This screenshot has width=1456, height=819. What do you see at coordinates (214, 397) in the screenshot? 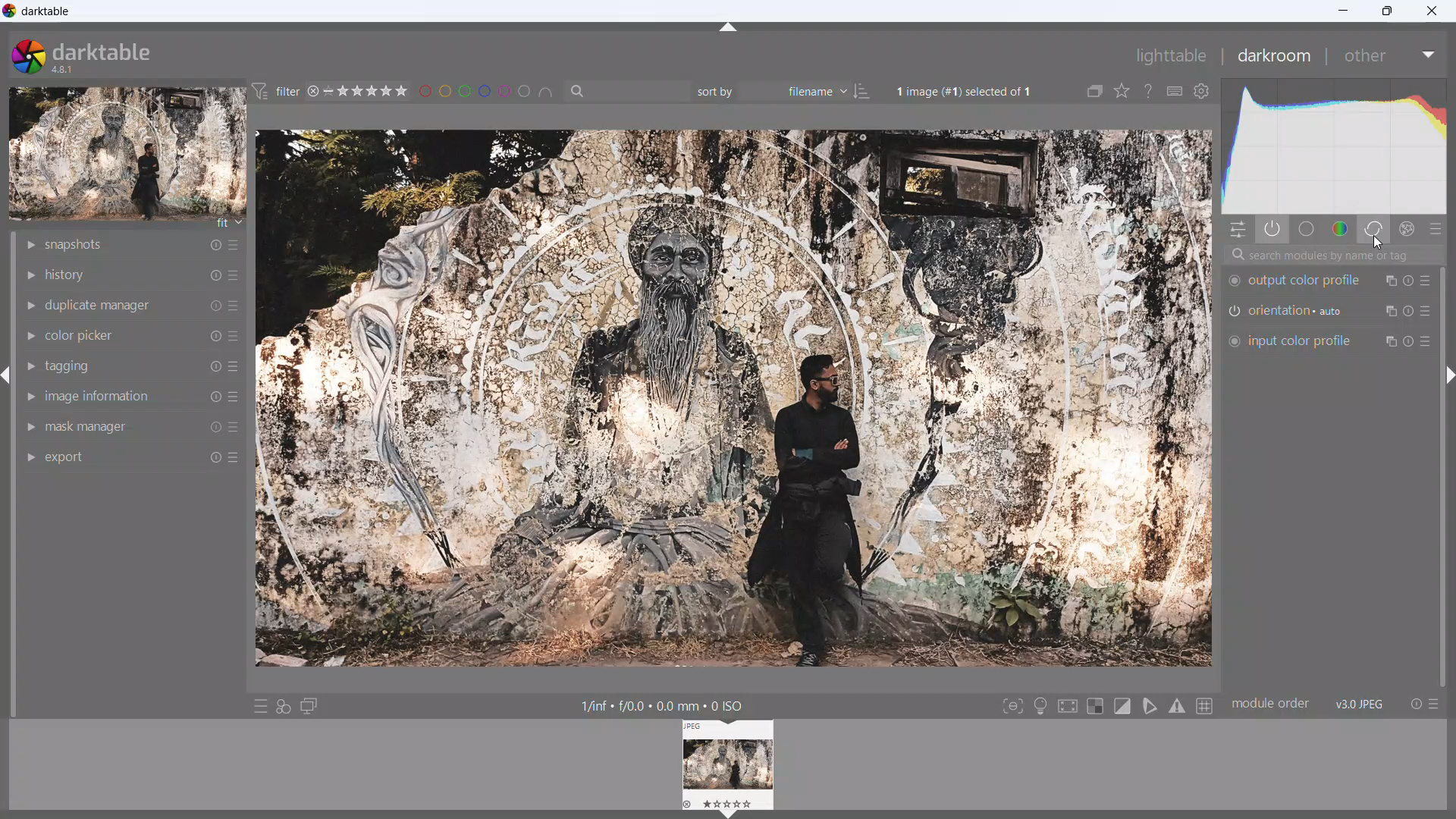
I see `reset` at bounding box center [214, 397].